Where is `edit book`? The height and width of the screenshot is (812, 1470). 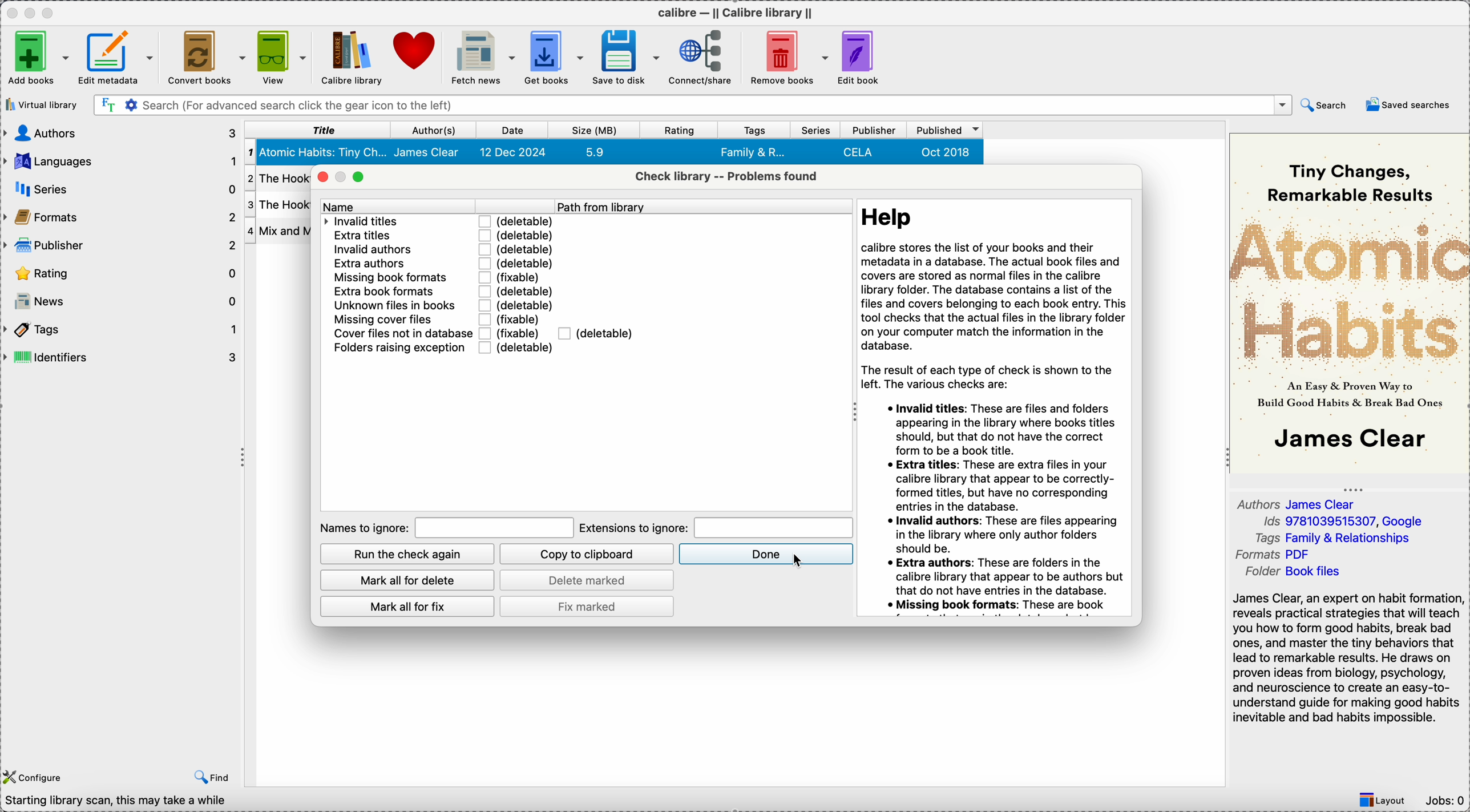 edit book is located at coordinates (863, 58).